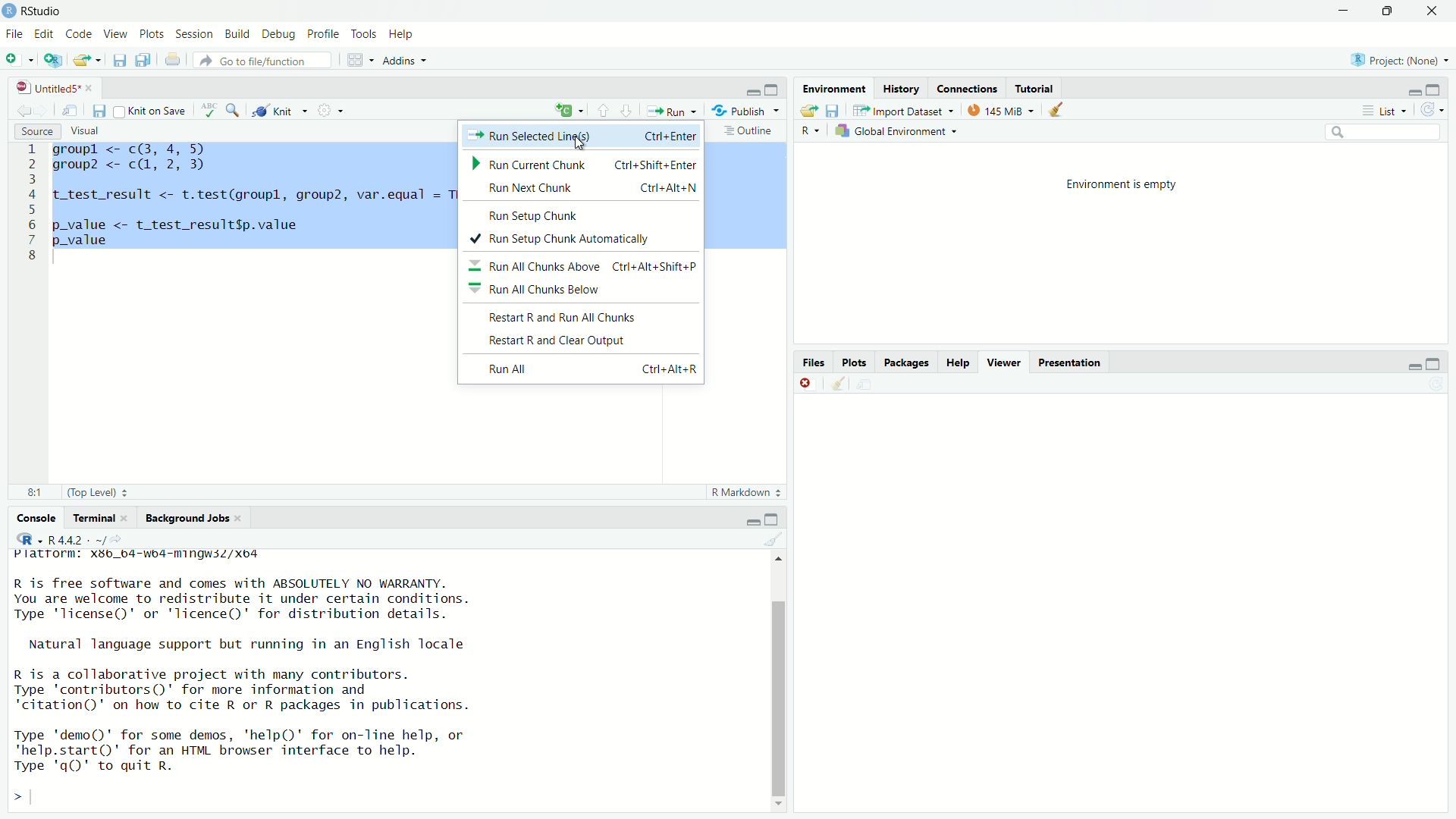 This screenshot has width=1456, height=819. What do you see at coordinates (833, 110) in the screenshot?
I see `save workspace as` at bounding box center [833, 110].